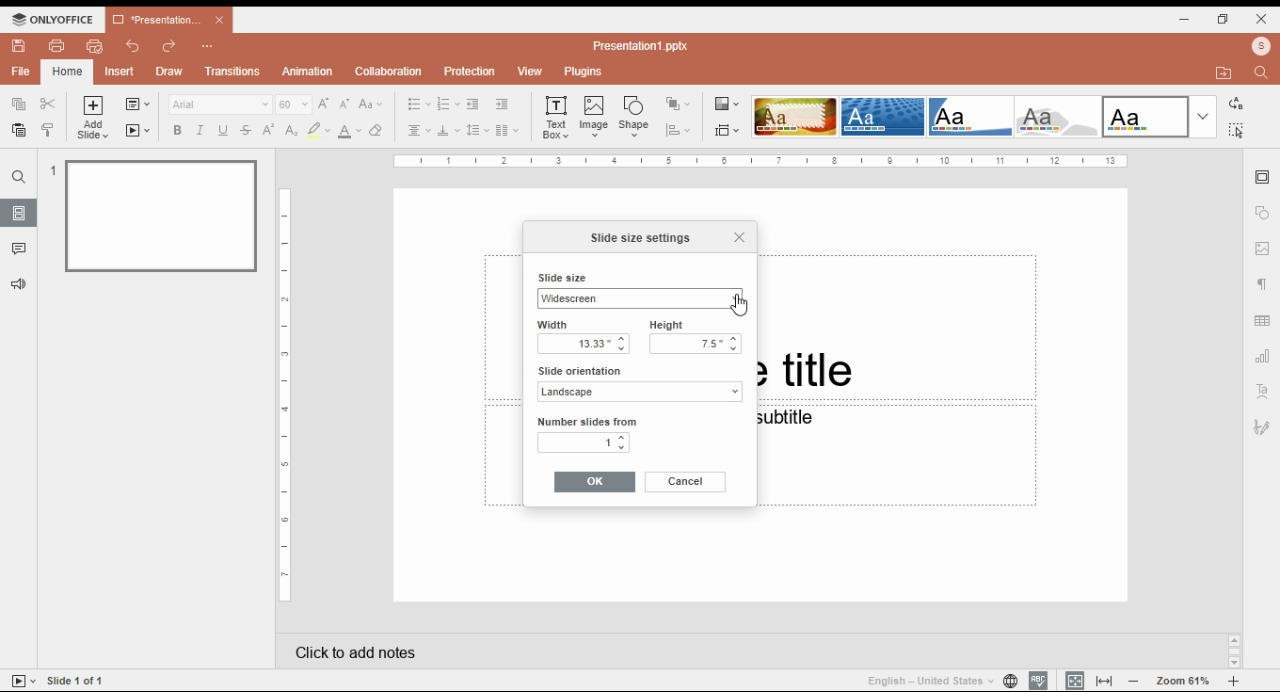 Image resolution: width=1280 pixels, height=692 pixels. Describe the element at coordinates (677, 104) in the screenshot. I see `arrange shape` at that location.